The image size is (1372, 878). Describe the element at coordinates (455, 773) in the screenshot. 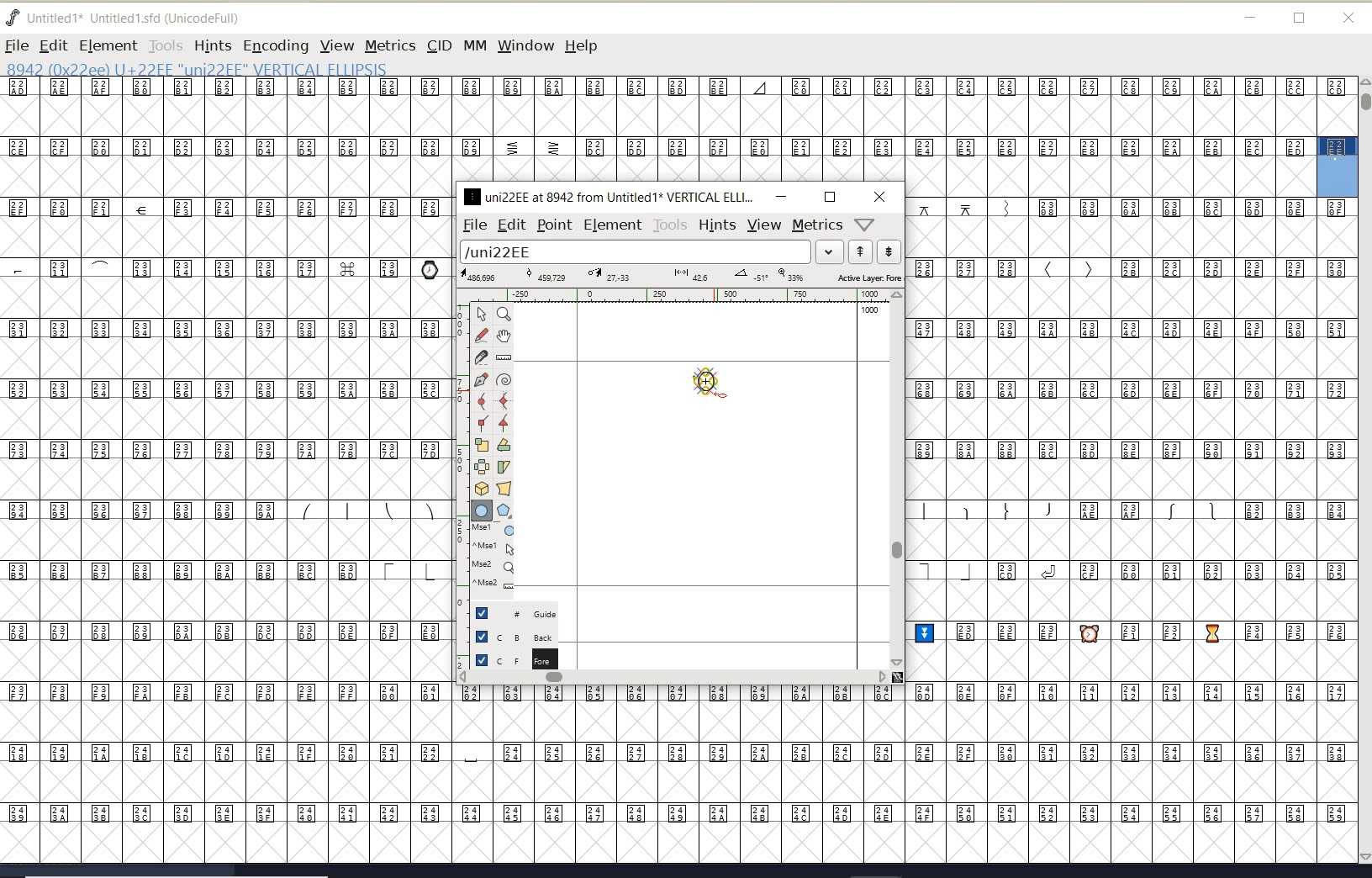

I see `GLYPHY CHARACTERS & NUMBERS` at that location.